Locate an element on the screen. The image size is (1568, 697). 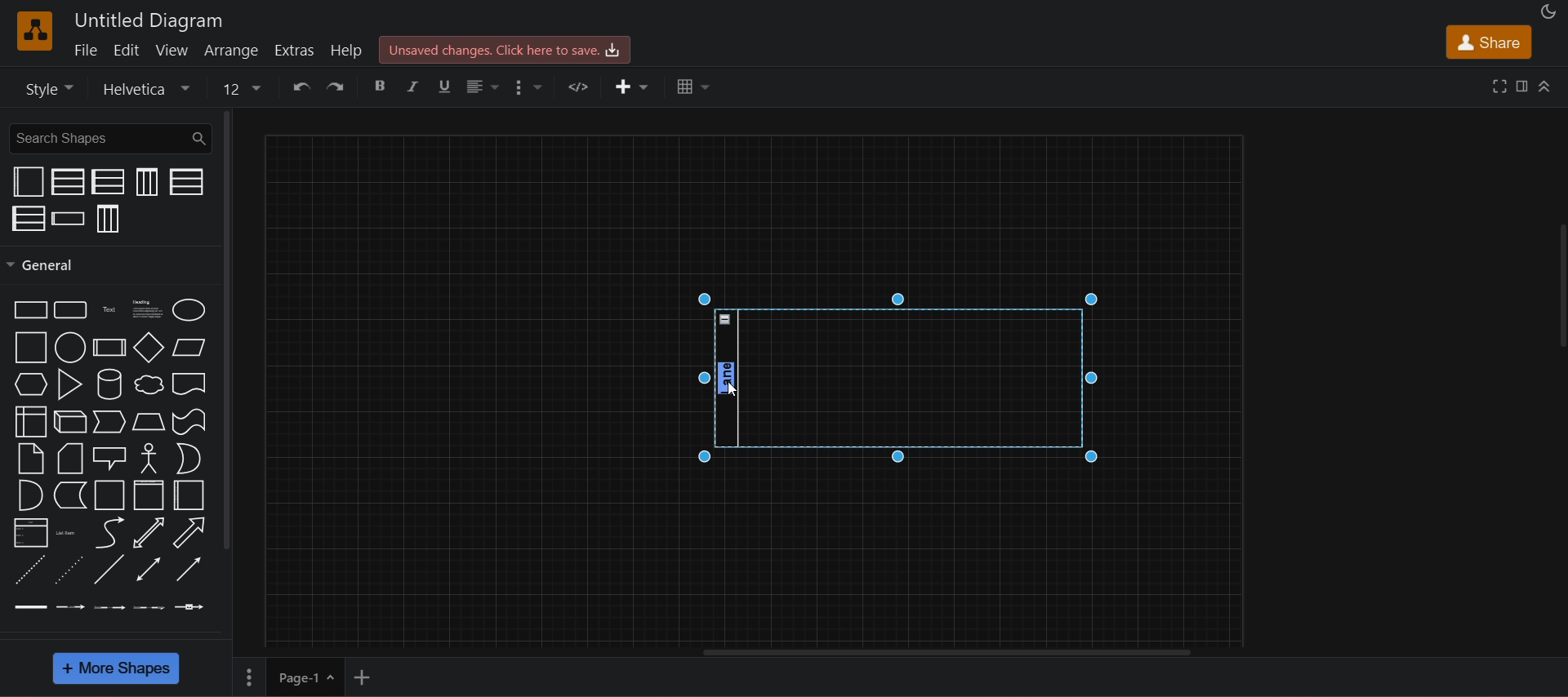
callout is located at coordinates (109, 459).